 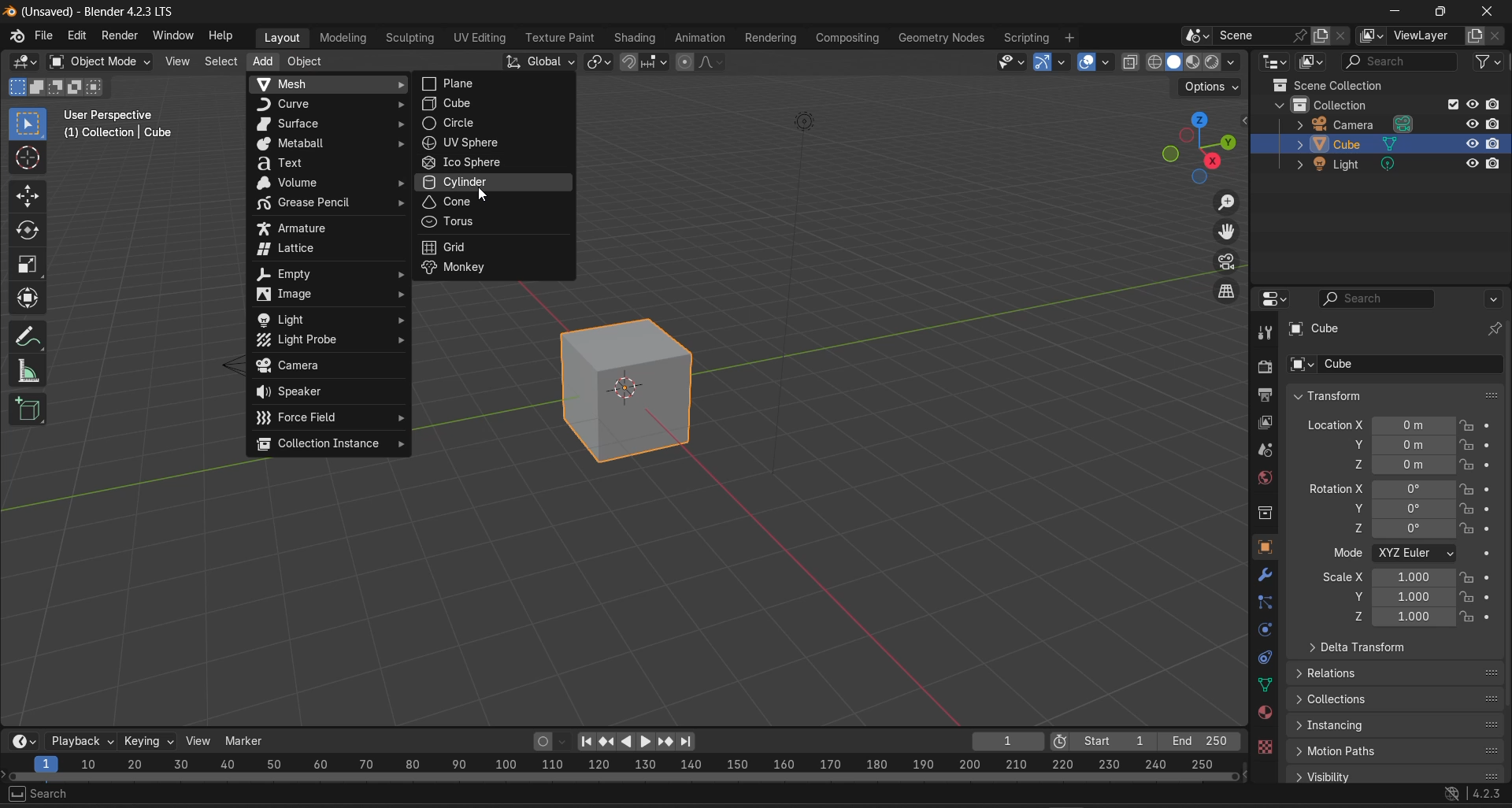 I want to click on image, so click(x=328, y=295).